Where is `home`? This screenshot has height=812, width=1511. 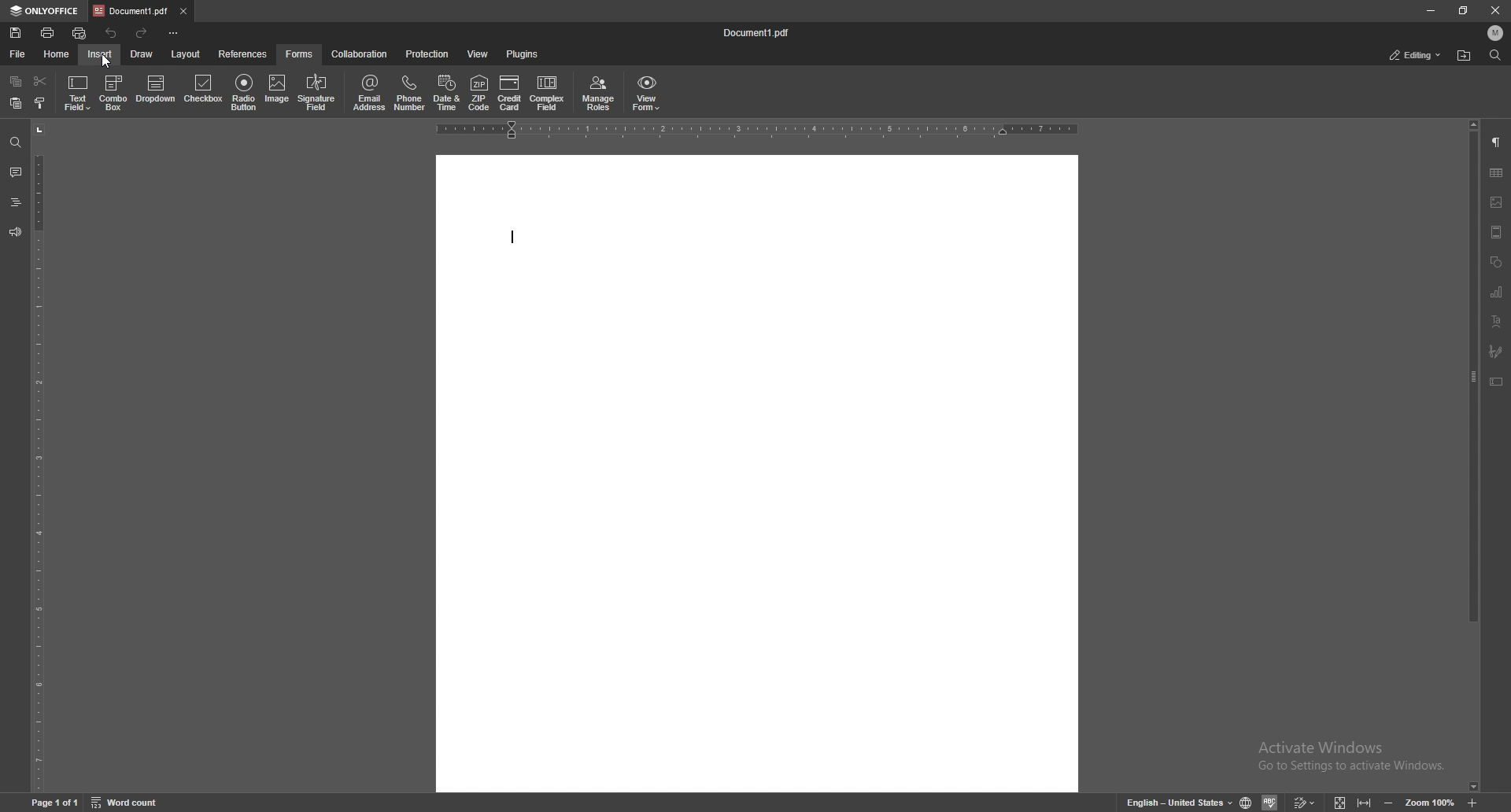
home is located at coordinates (57, 54).